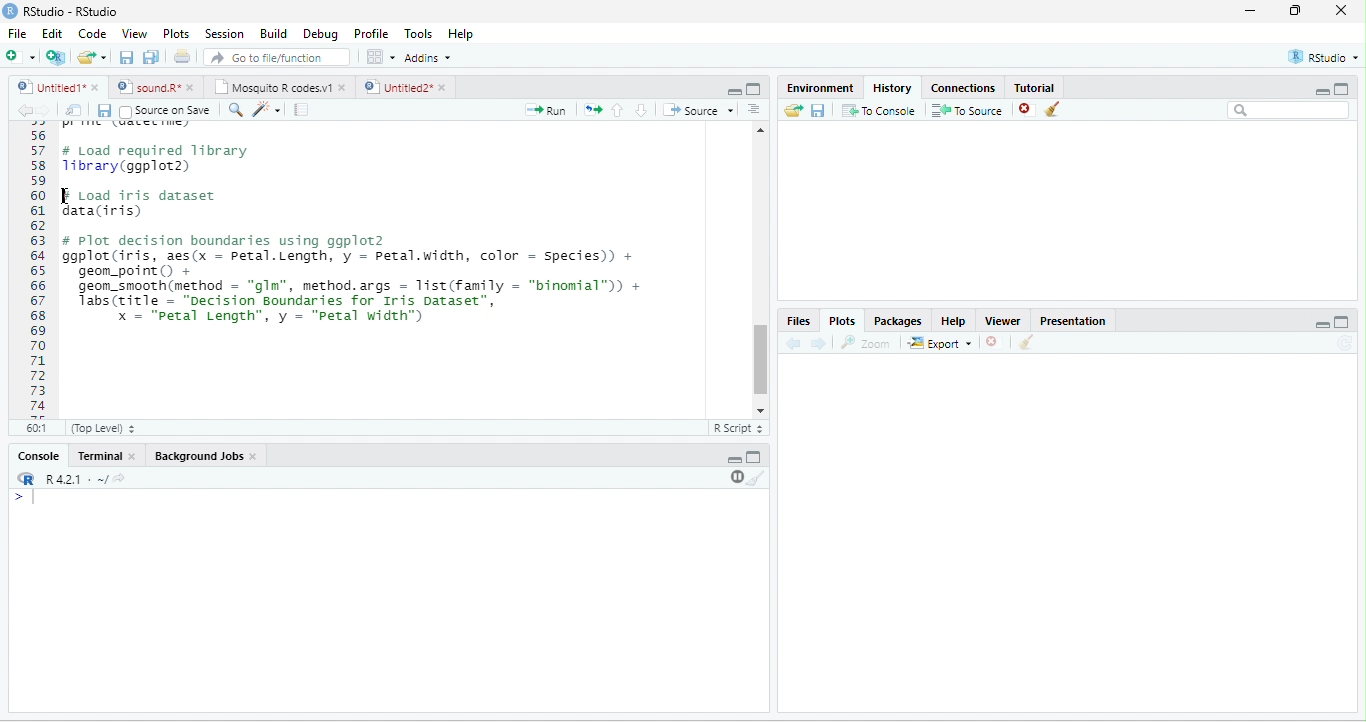 The image size is (1366, 722). Describe the element at coordinates (103, 429) in the screenshot. I see `Top Level` at that location.